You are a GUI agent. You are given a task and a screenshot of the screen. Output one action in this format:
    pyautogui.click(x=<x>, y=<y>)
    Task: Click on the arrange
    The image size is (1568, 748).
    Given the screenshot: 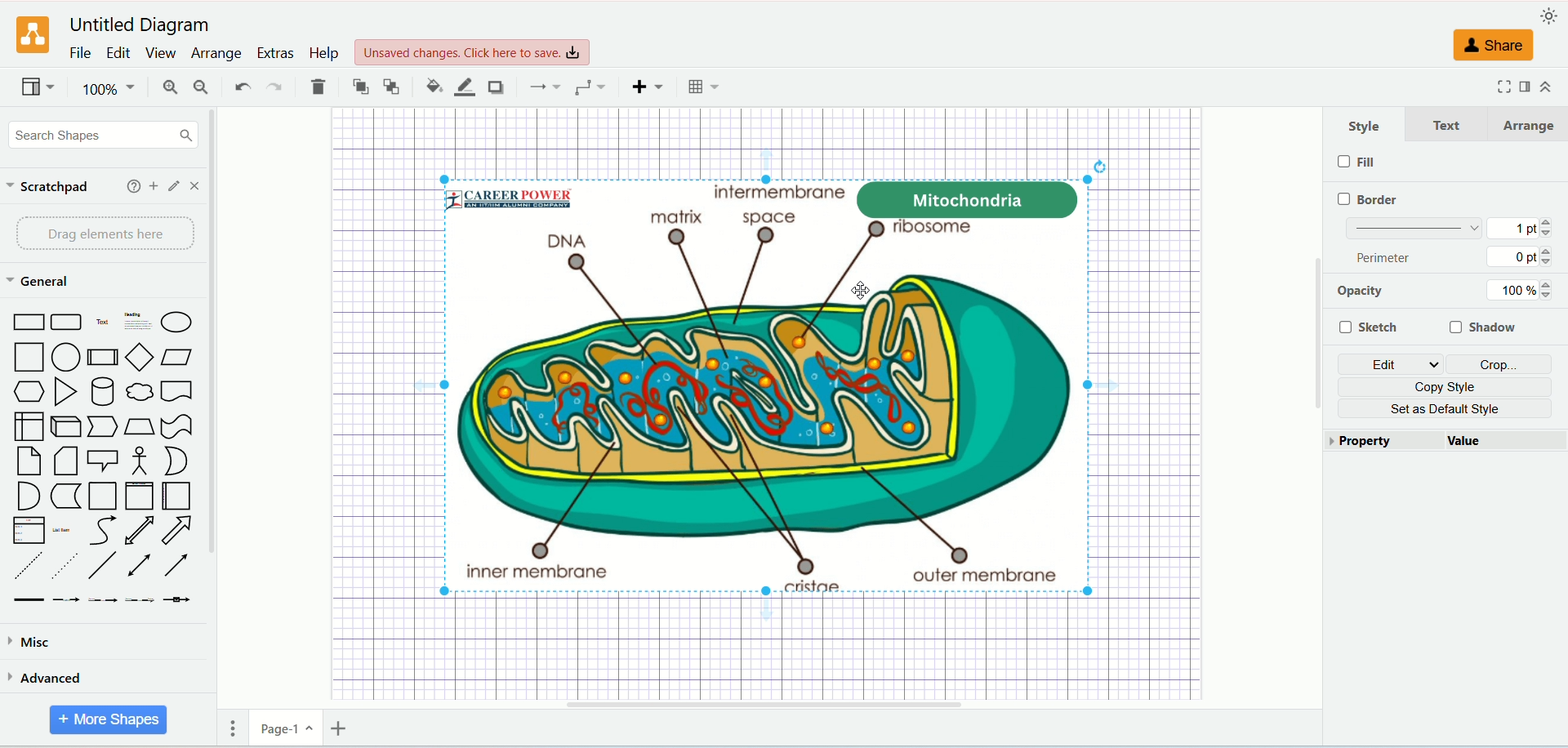 What is the action you would take?
    pyautogui.click(x=1535, y=122)
    